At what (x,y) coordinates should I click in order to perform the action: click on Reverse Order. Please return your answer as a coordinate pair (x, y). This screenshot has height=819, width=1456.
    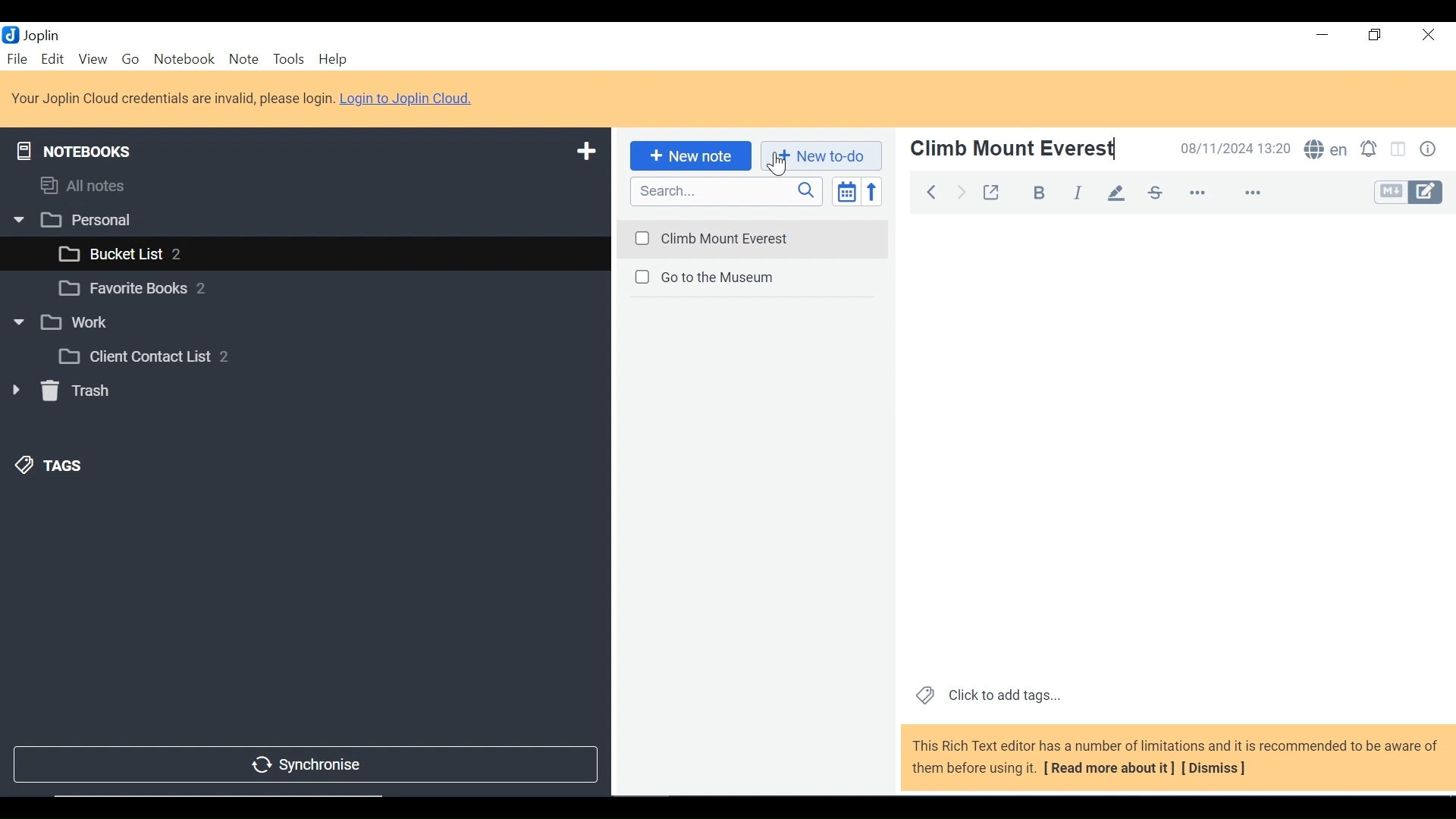
    Looking at the image, I should click on (871, 191).